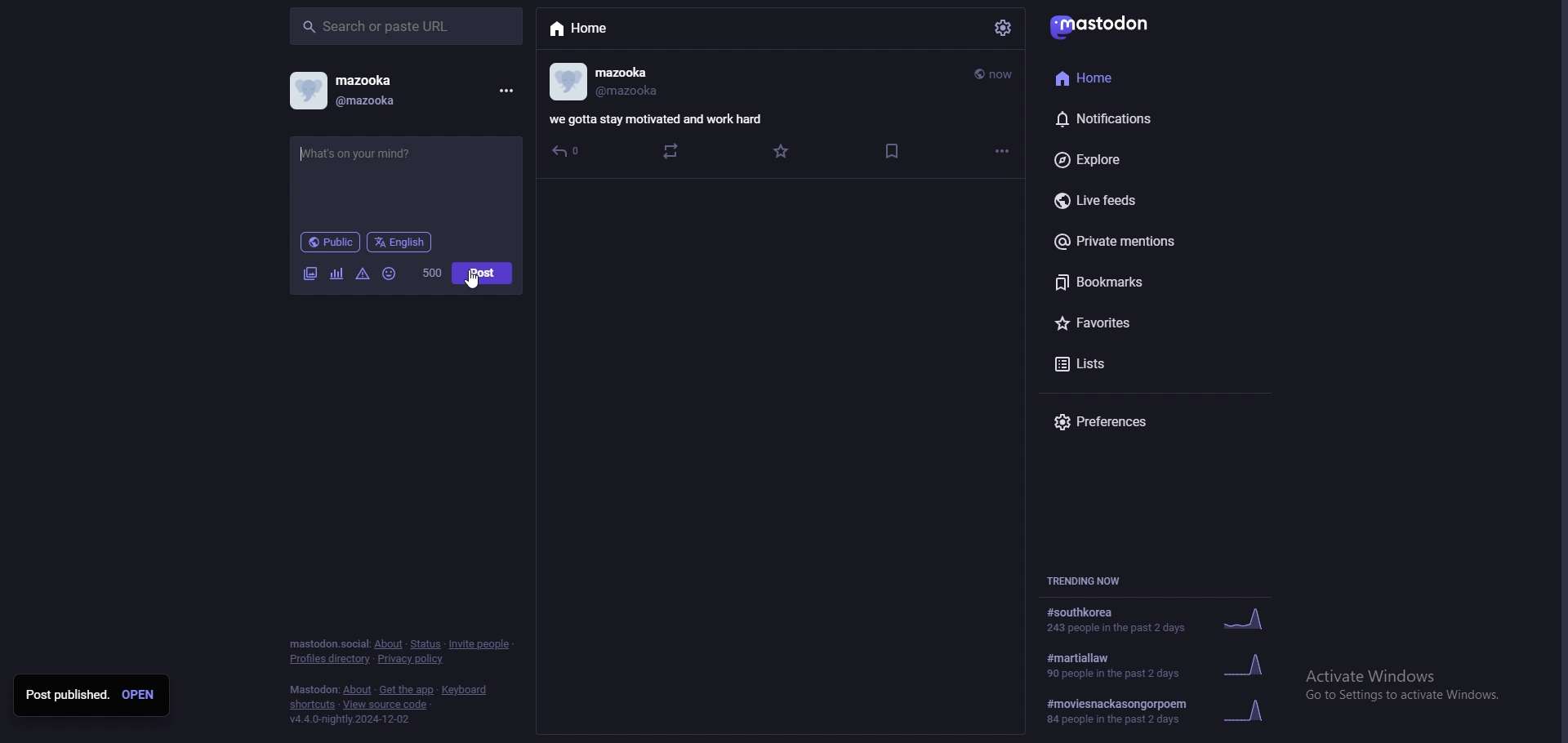 This screenshot has height=743, width=1568. What do you see at coordinates (406, 26) in the screenshot?
I see `search bar` at bounding box center [406, 26].